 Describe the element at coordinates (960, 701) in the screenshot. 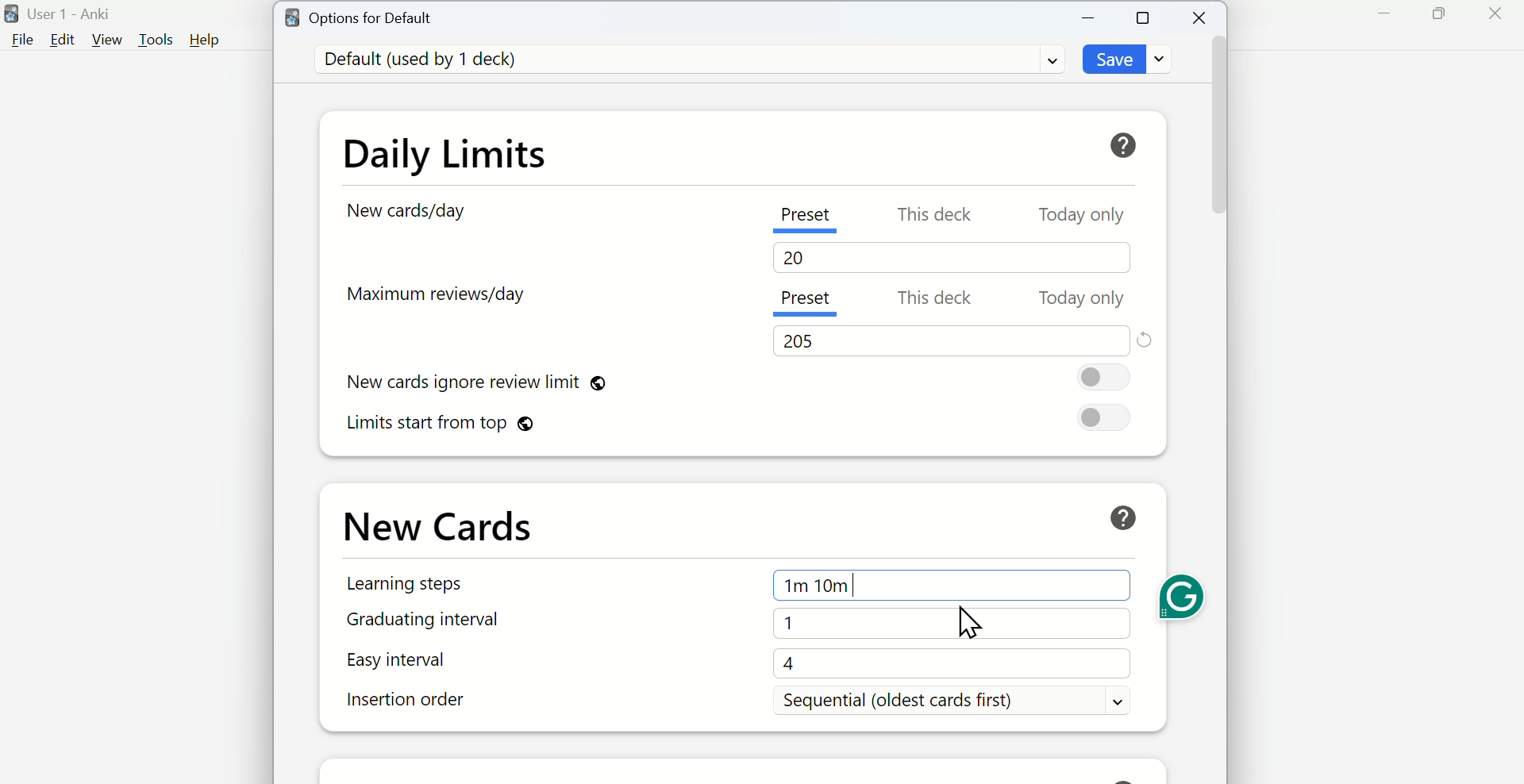

I see `Sequential (oldest cards first)` at that location.